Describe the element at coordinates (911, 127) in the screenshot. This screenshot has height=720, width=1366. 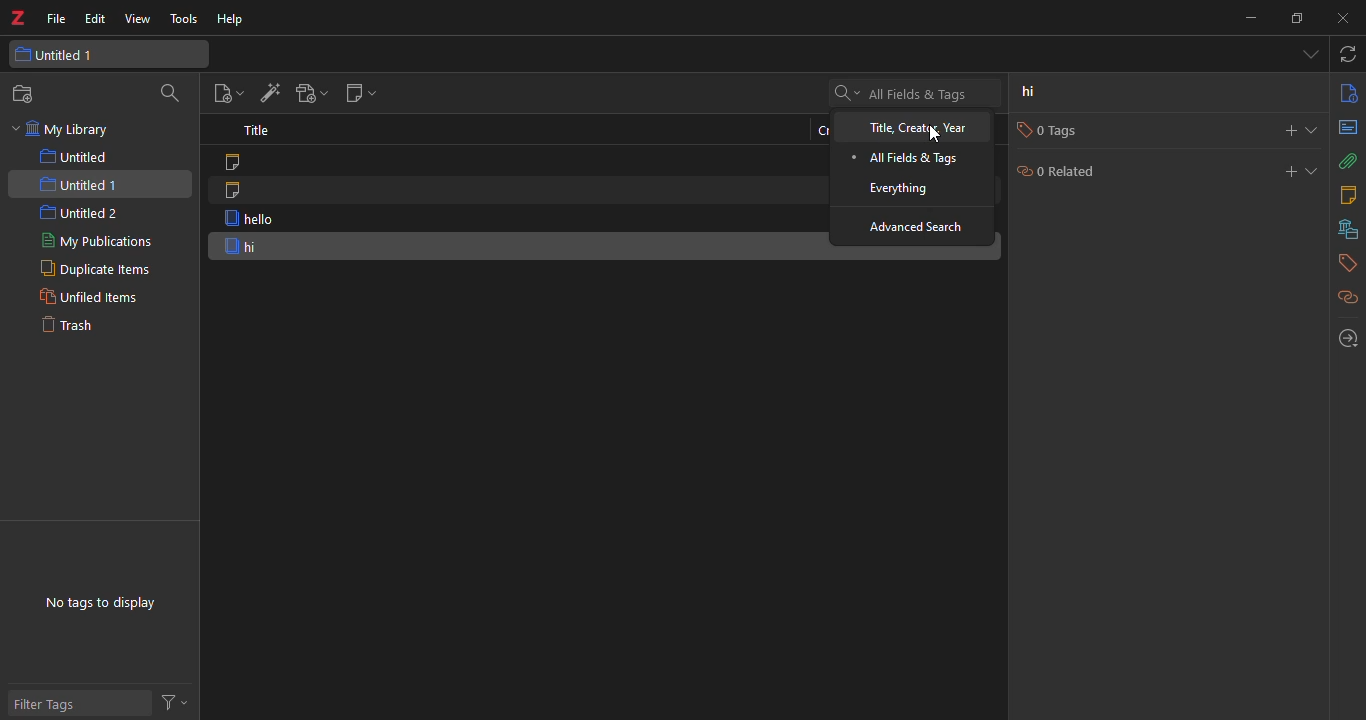
I see `title, creator, year` at that location.